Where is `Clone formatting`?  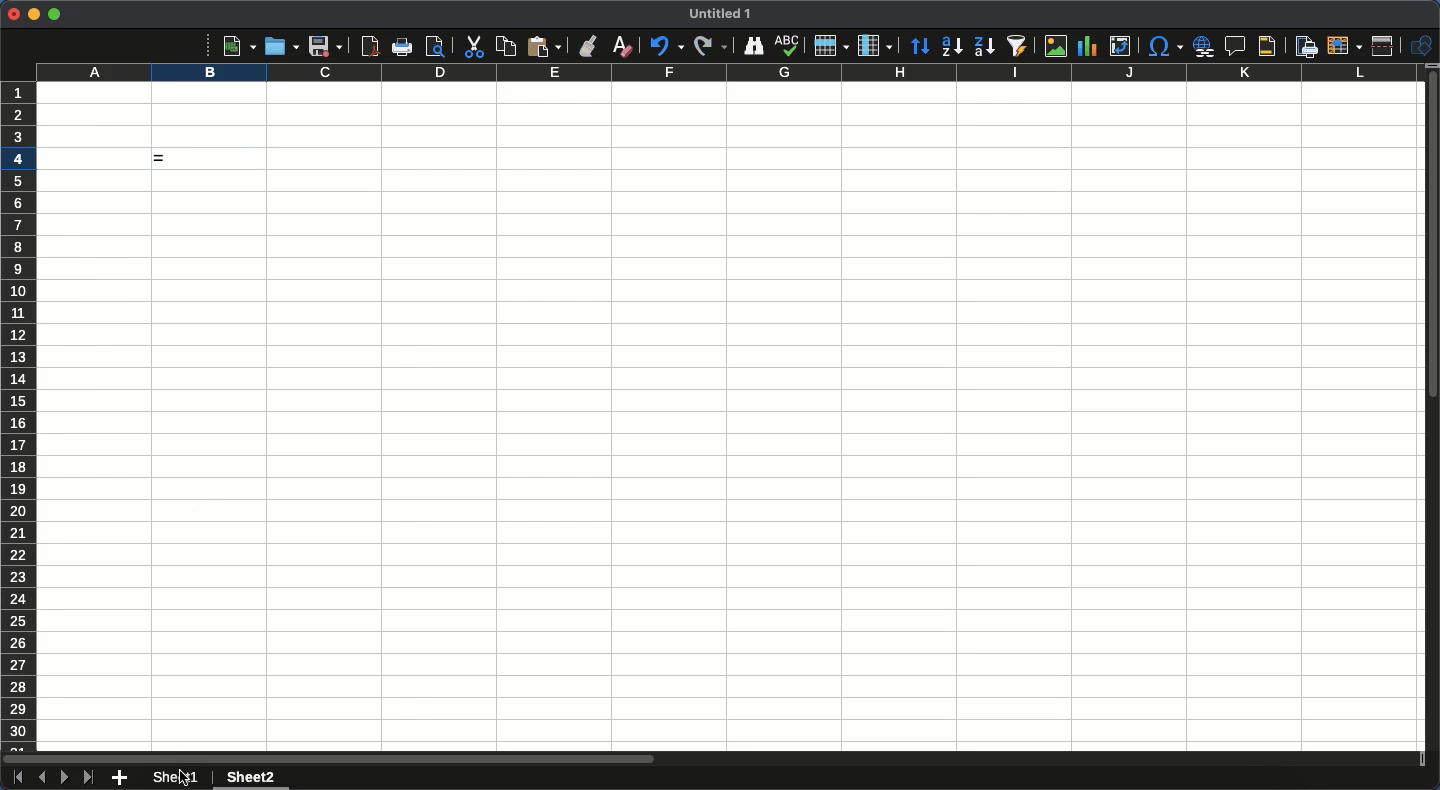 Clone formatting is located at coordinates (589, 46).